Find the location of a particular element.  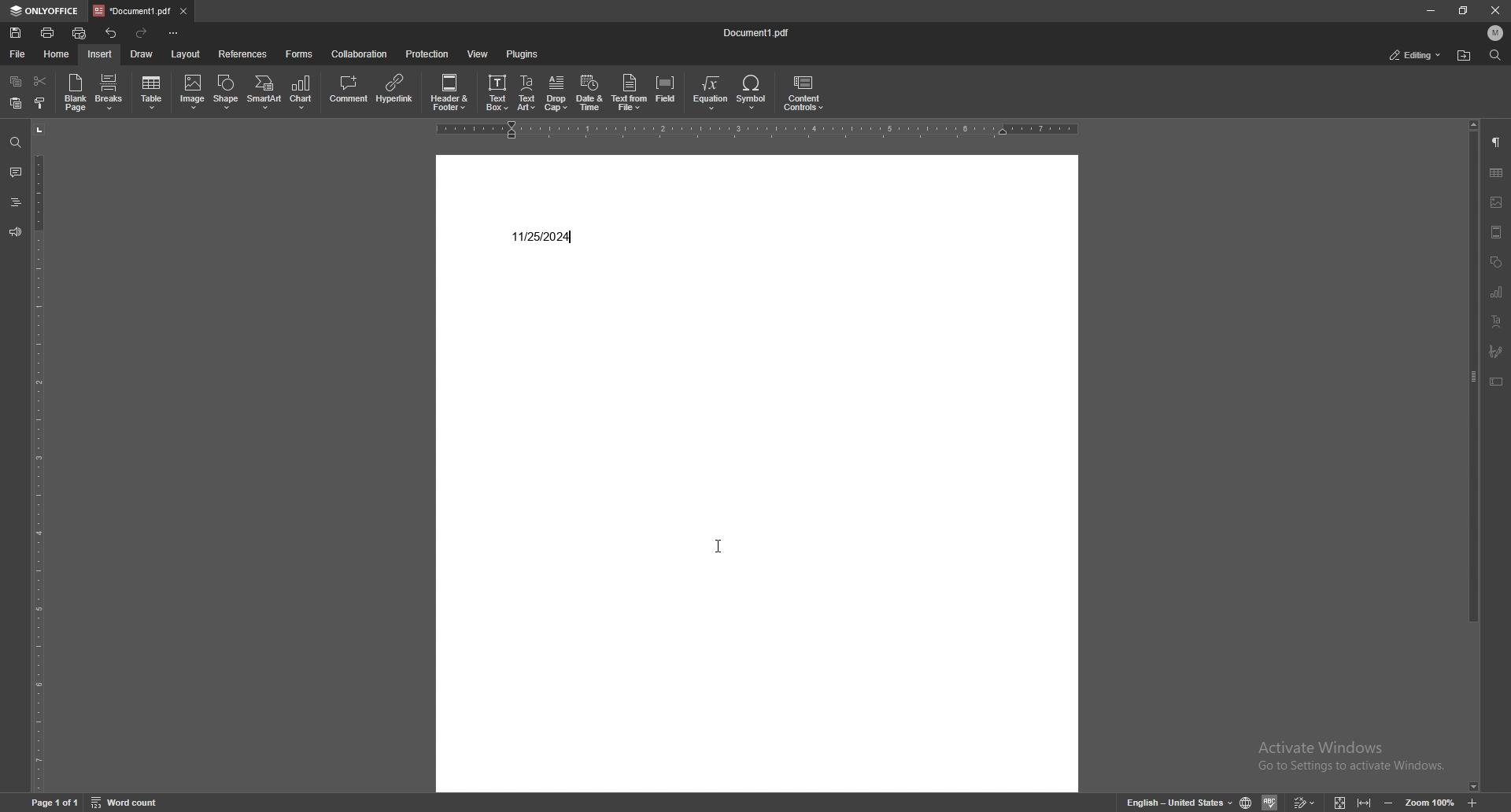

close tab is located at coordinates (183, 11).